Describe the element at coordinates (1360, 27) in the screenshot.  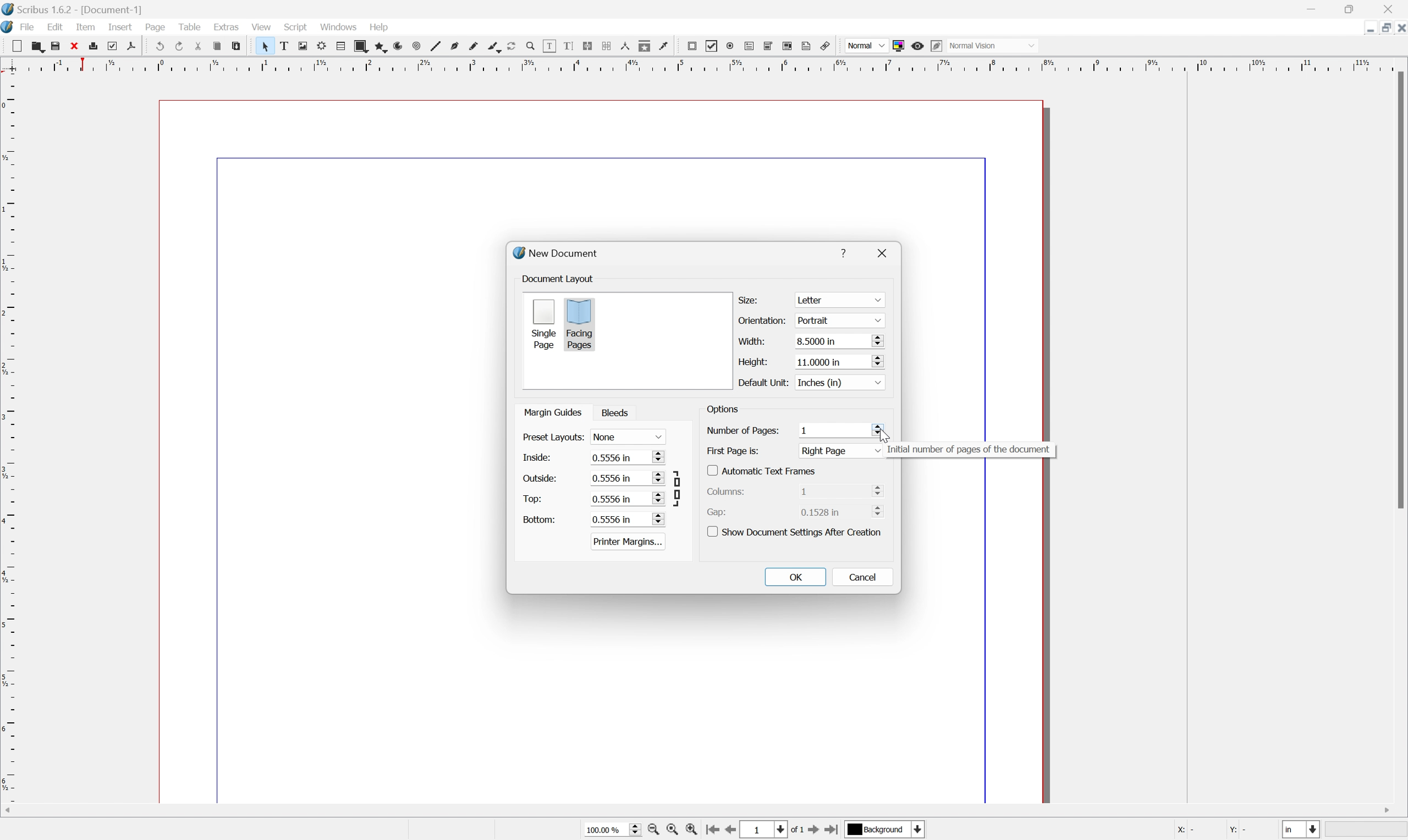
I see `Minimize` at that location.